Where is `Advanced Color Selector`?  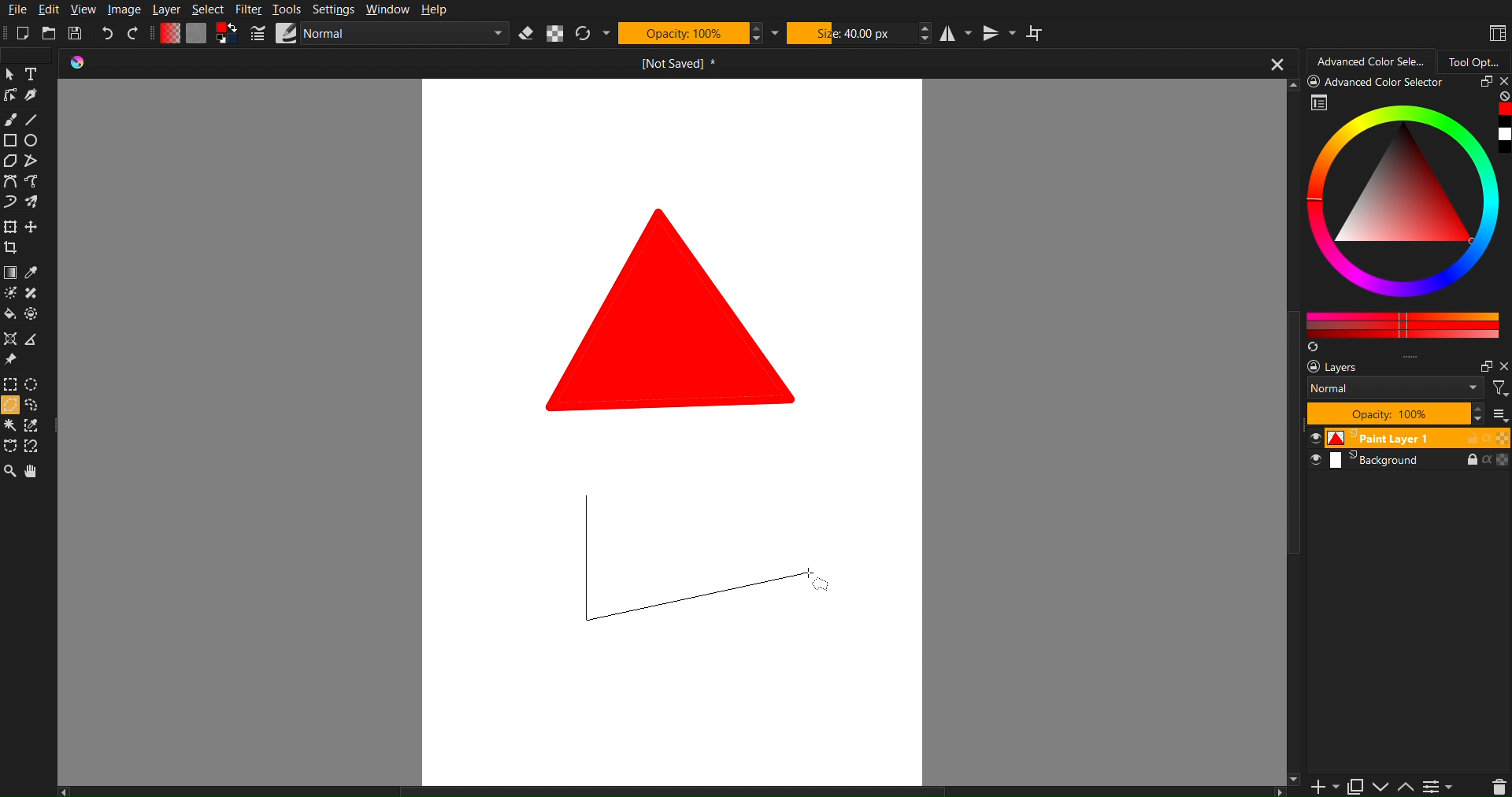
Advanced Color Selector is located at coordinates (1368, 58).